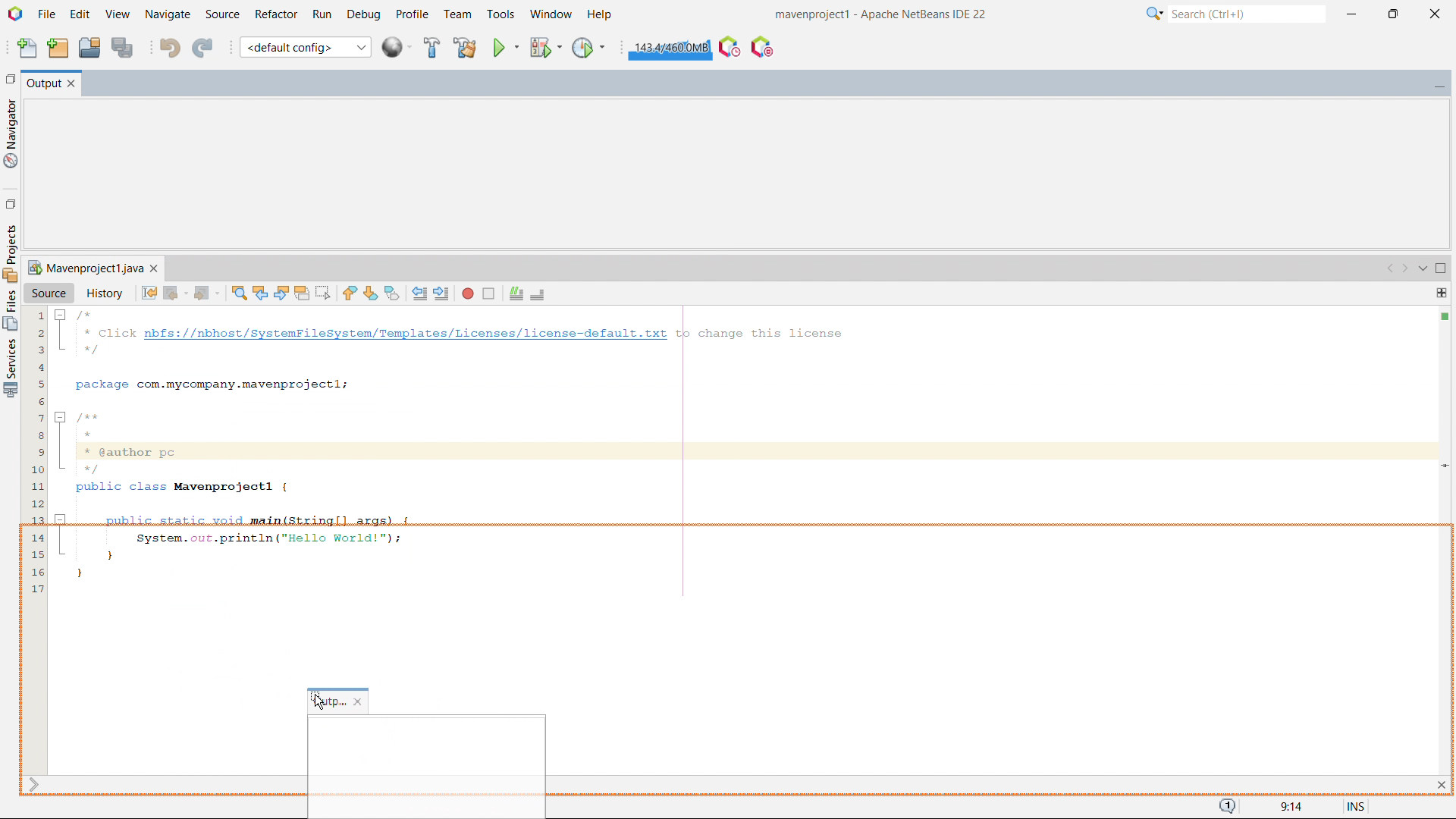  What do you see at coordinates (1440, 784) in the screenshot?
I see `close` at bounding box center [1440, 784].